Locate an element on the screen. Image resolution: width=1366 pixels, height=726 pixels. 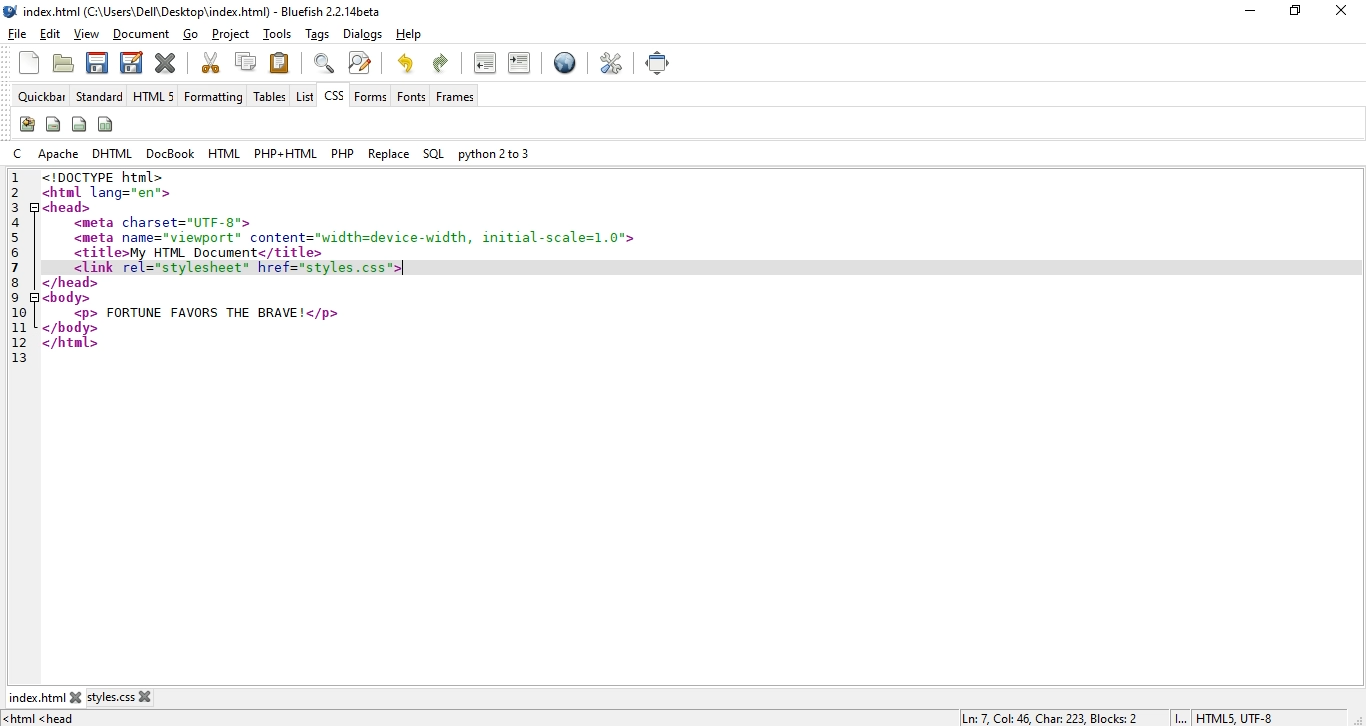
document is located at coordinates (141, 35).